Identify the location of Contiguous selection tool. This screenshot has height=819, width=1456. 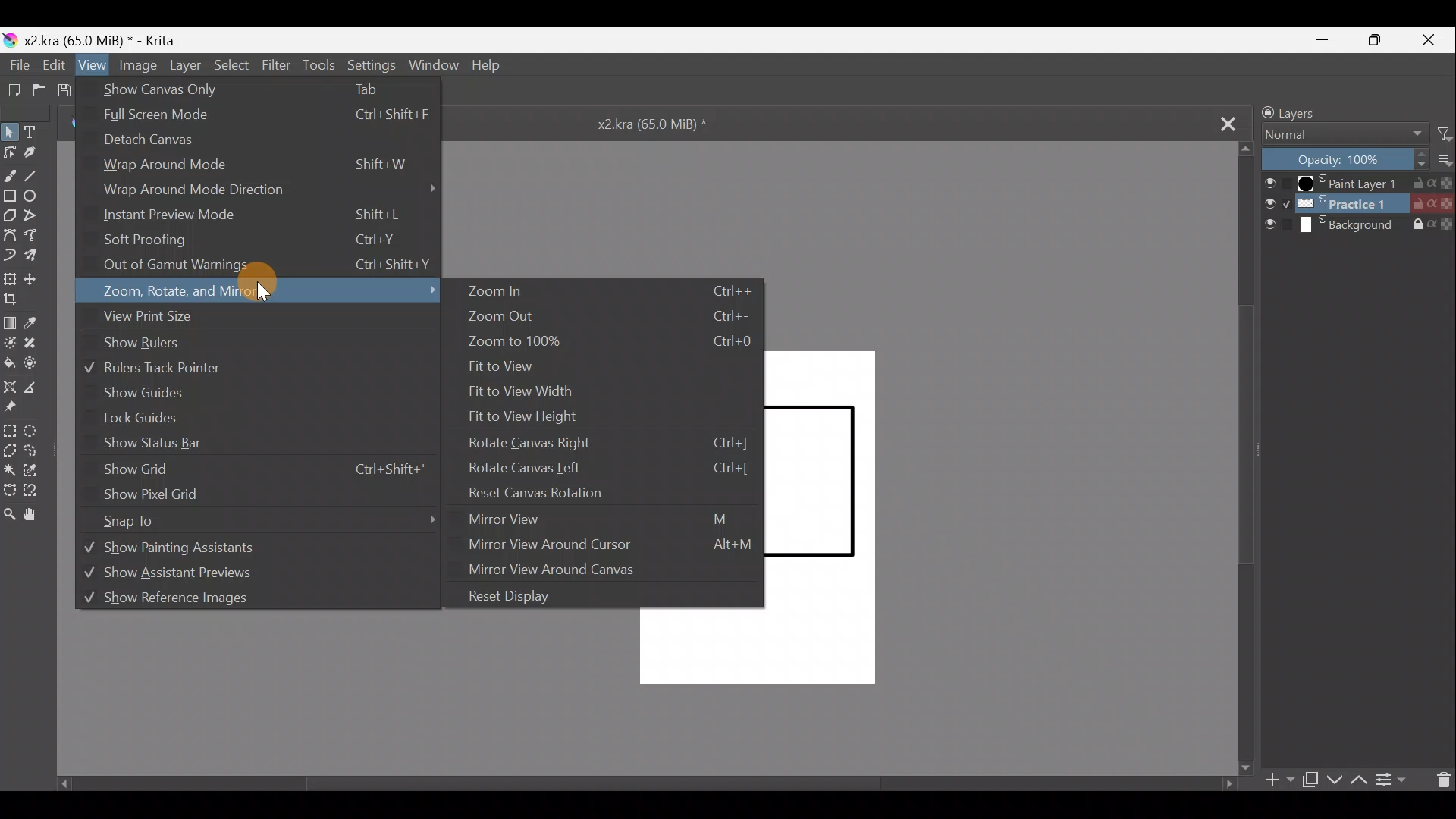
(12, 468).